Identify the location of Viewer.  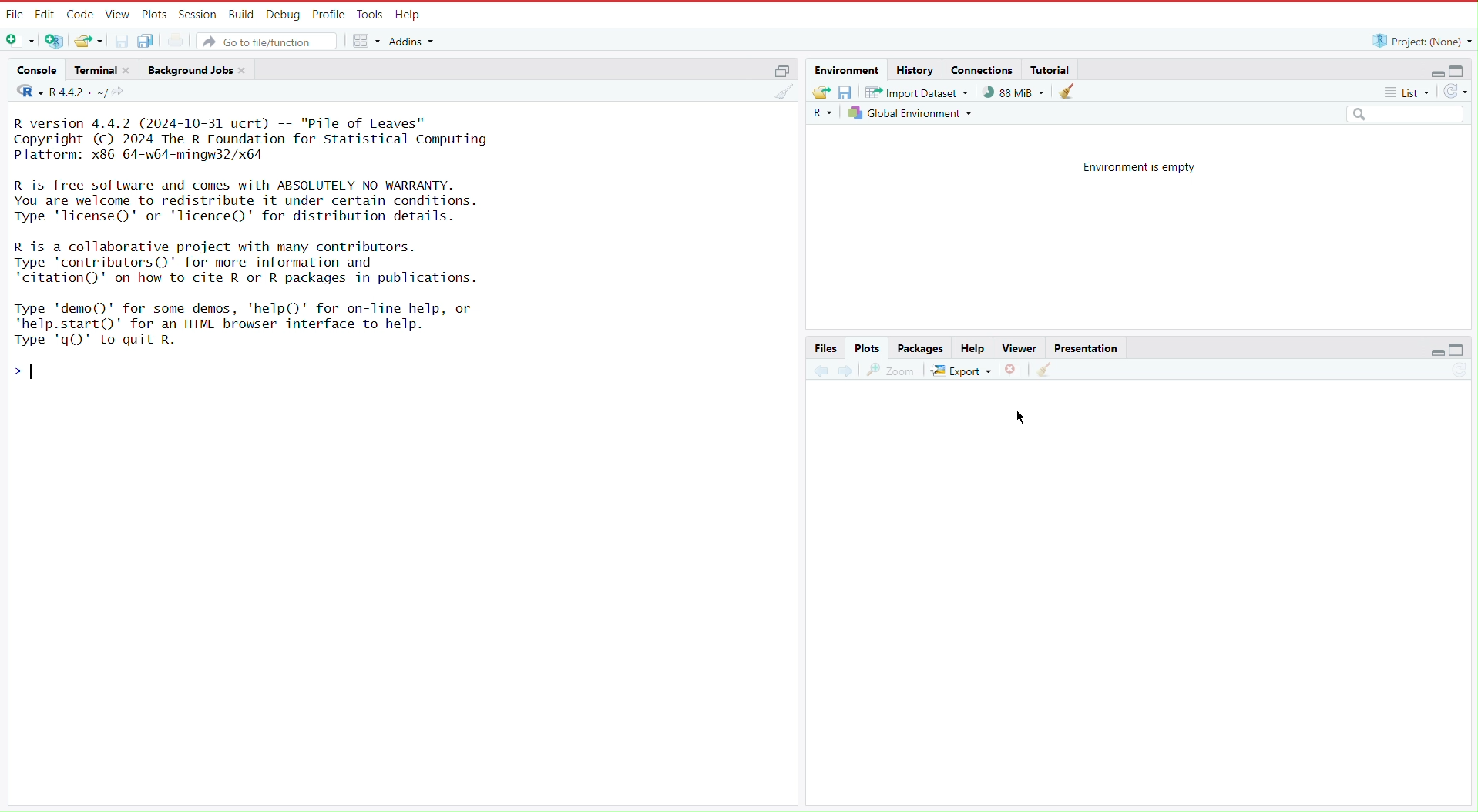
(1017, 348).